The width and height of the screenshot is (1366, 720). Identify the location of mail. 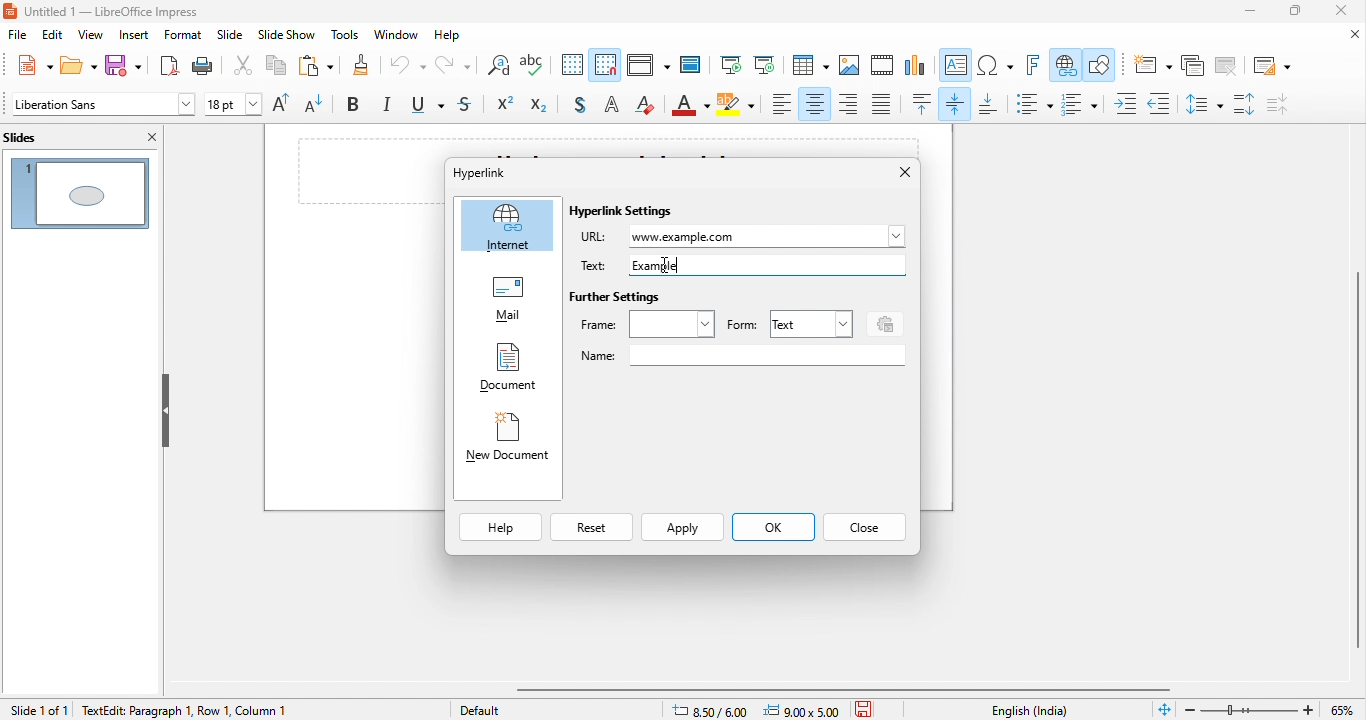
(508, 302).